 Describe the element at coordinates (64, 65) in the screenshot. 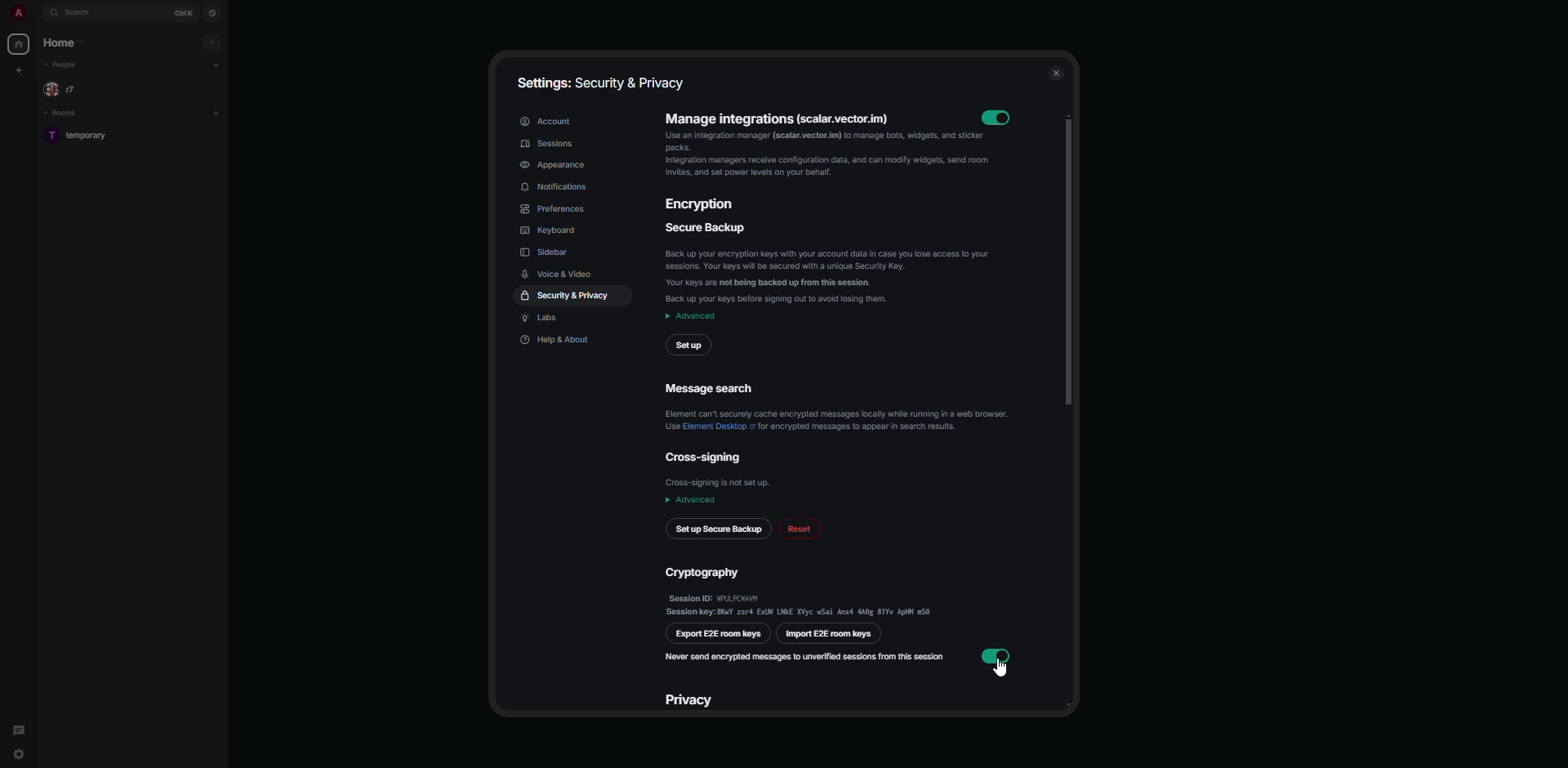

I see `people` at that location.